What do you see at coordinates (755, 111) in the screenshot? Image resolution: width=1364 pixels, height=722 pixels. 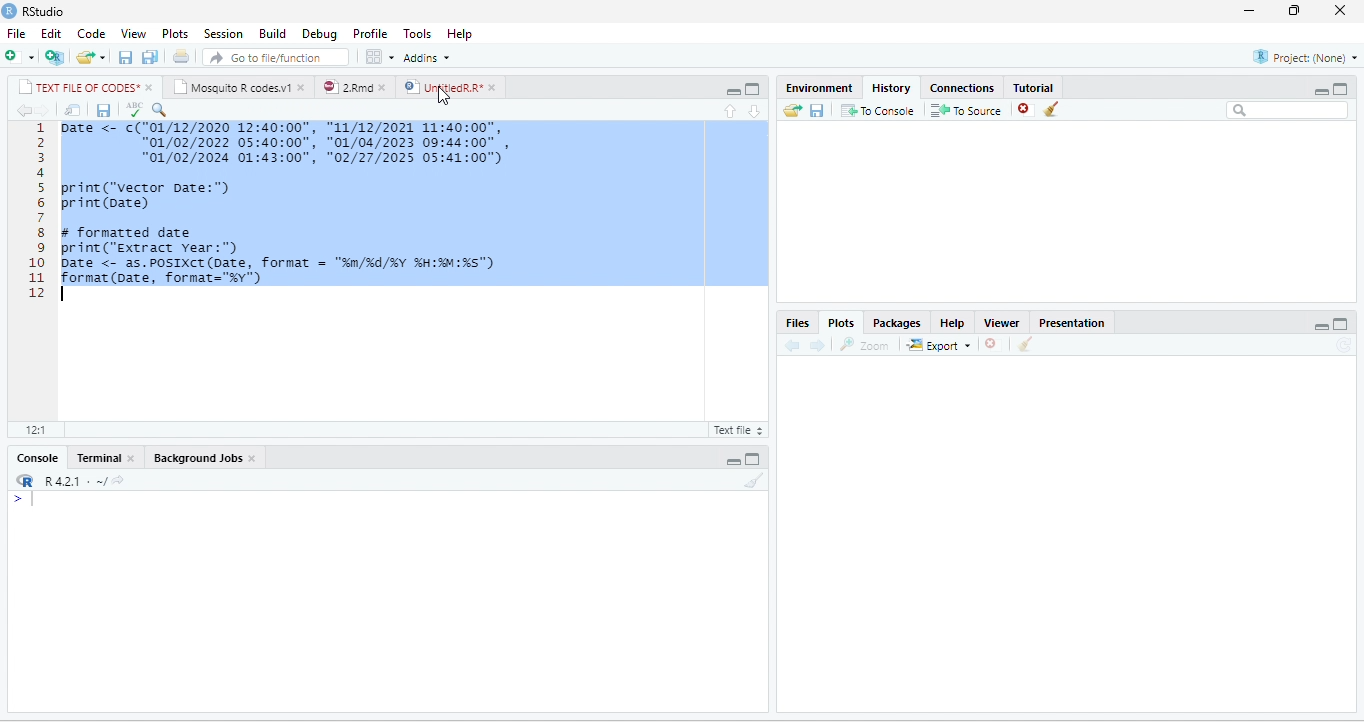 I see `down` at bounding box center [755, 111].